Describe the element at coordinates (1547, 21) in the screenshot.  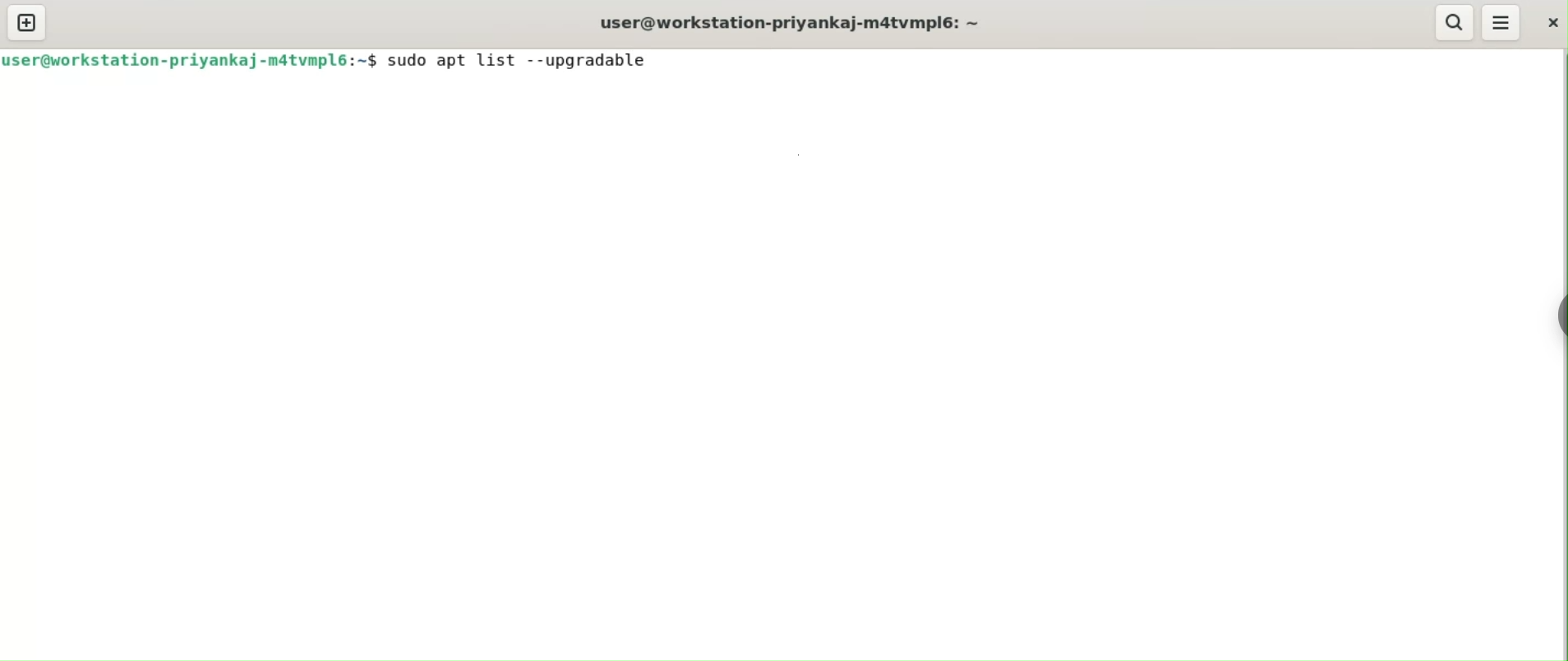
I see `close` at that location.